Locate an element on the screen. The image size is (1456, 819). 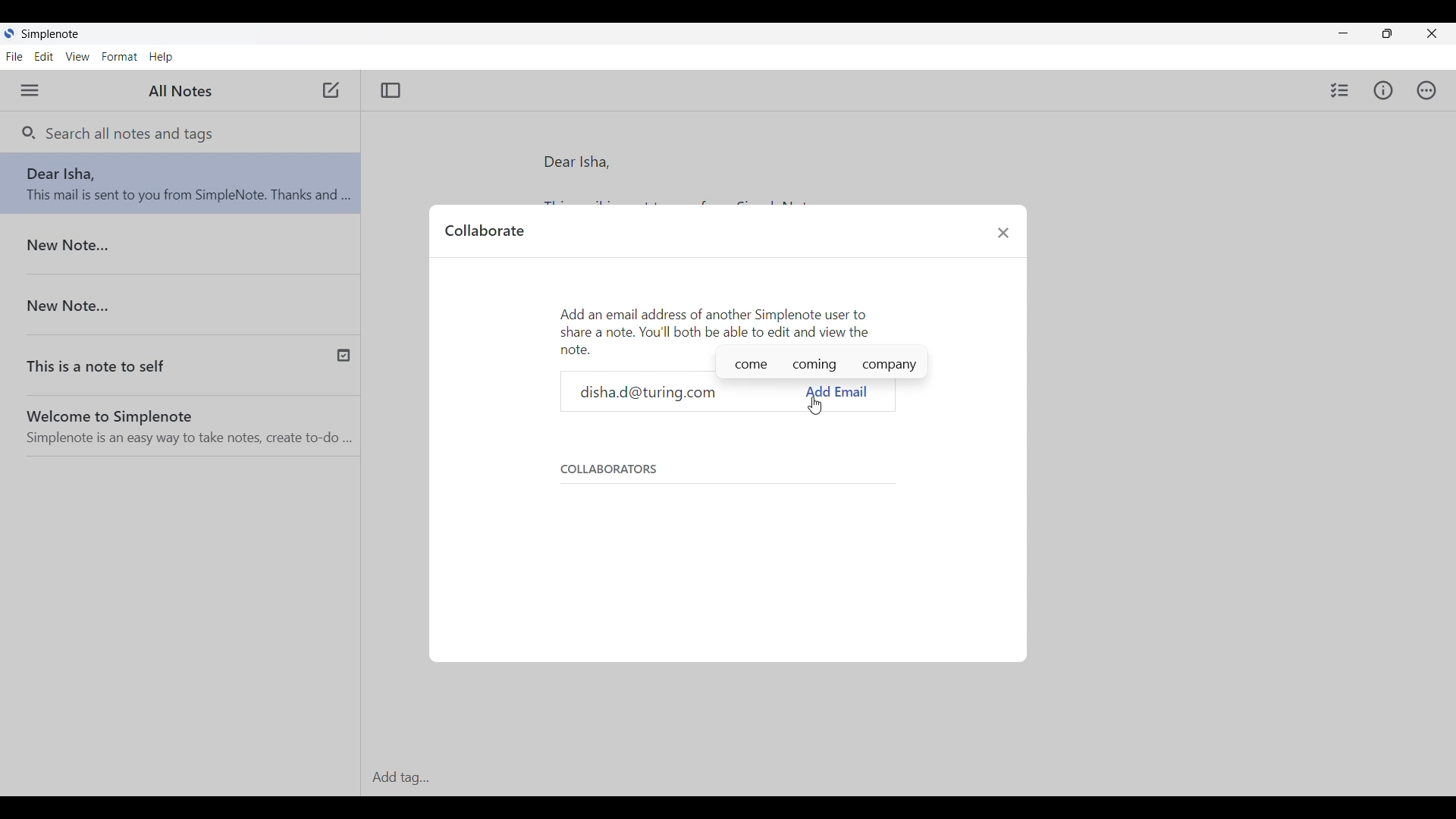
Minimize is located at coordinates (1344, 33).